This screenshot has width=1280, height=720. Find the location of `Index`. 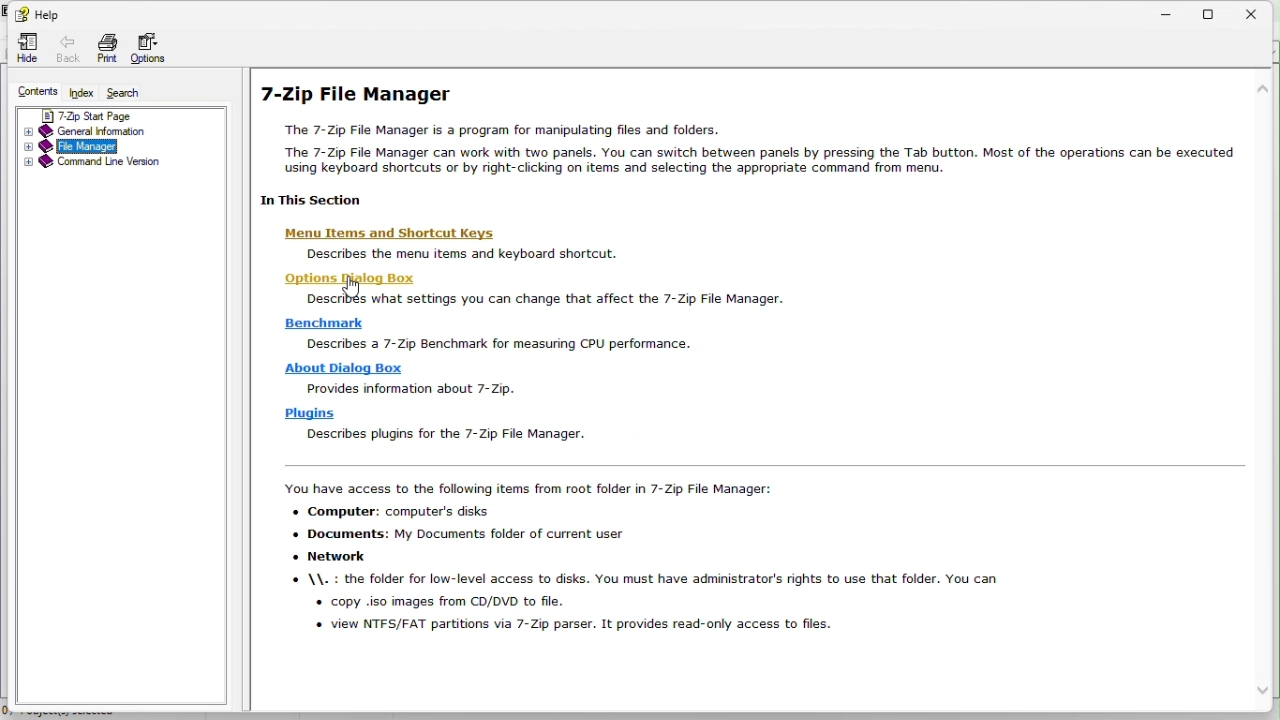

Index is located at coordinates (83, 93).